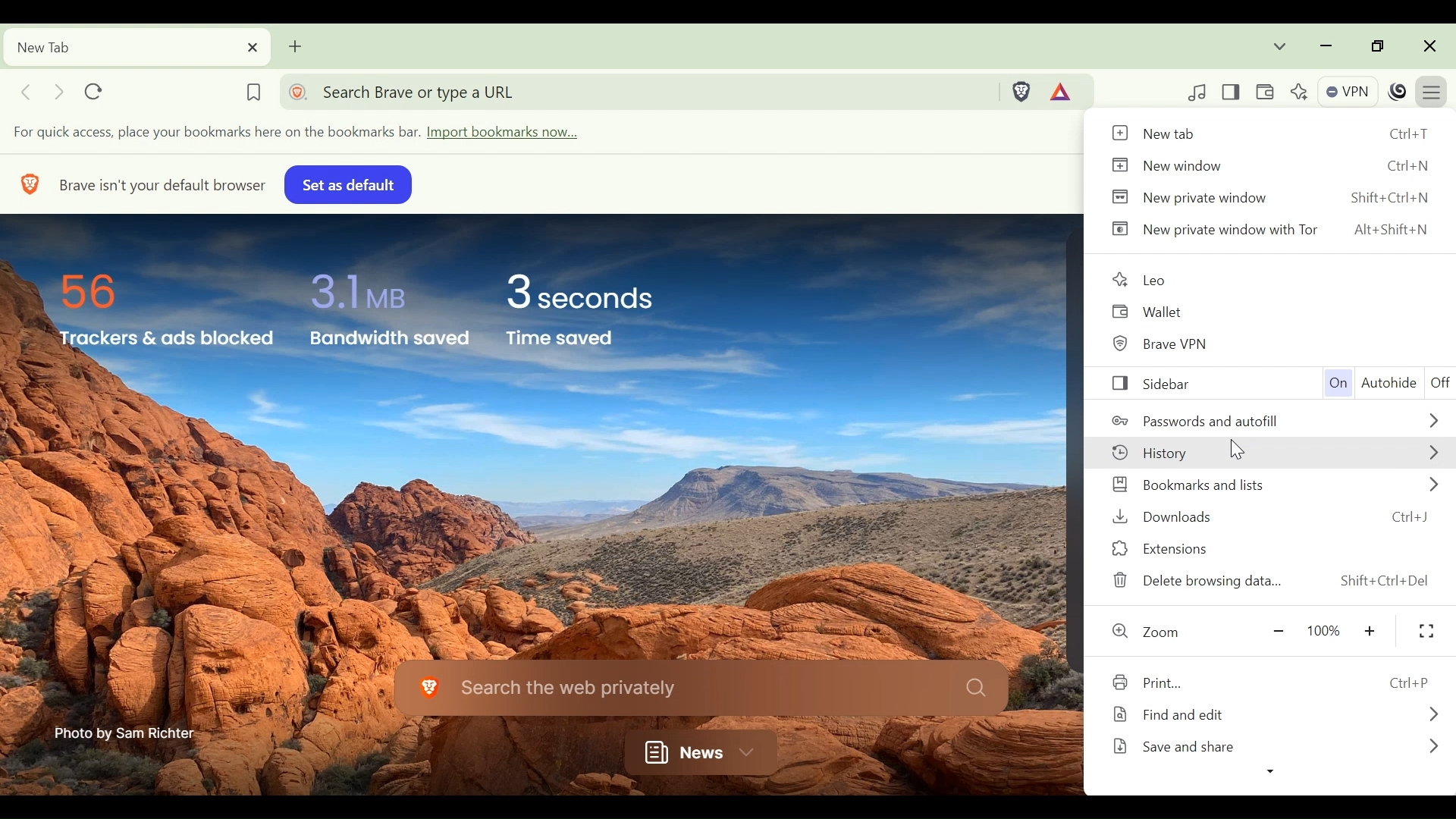  Describe the element at coordinates (1335, 383) in the screenshot. I see `On` at that location.